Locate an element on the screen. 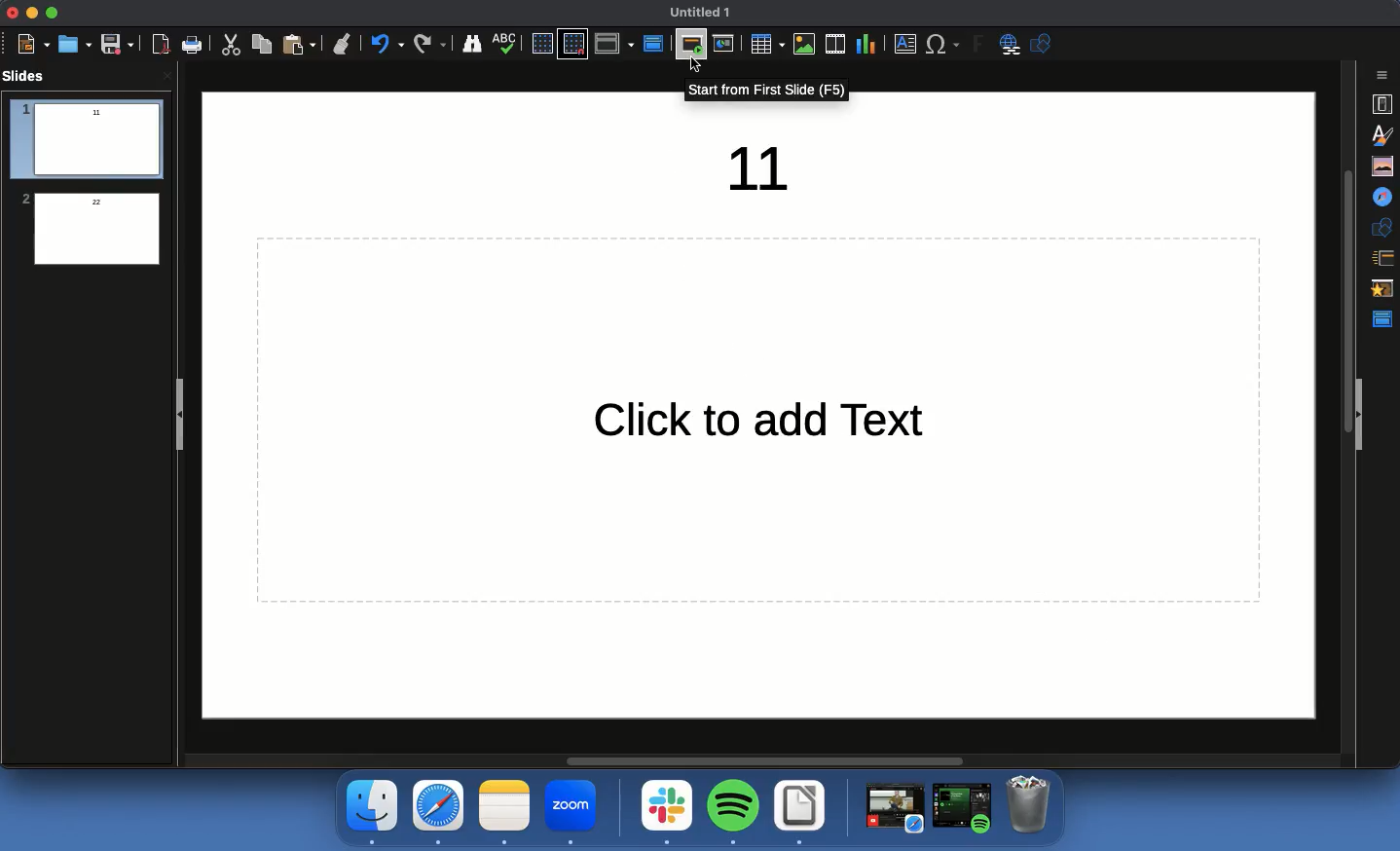 The image size is (1400, 851). slide 1 is located at coordinates (89, 138).